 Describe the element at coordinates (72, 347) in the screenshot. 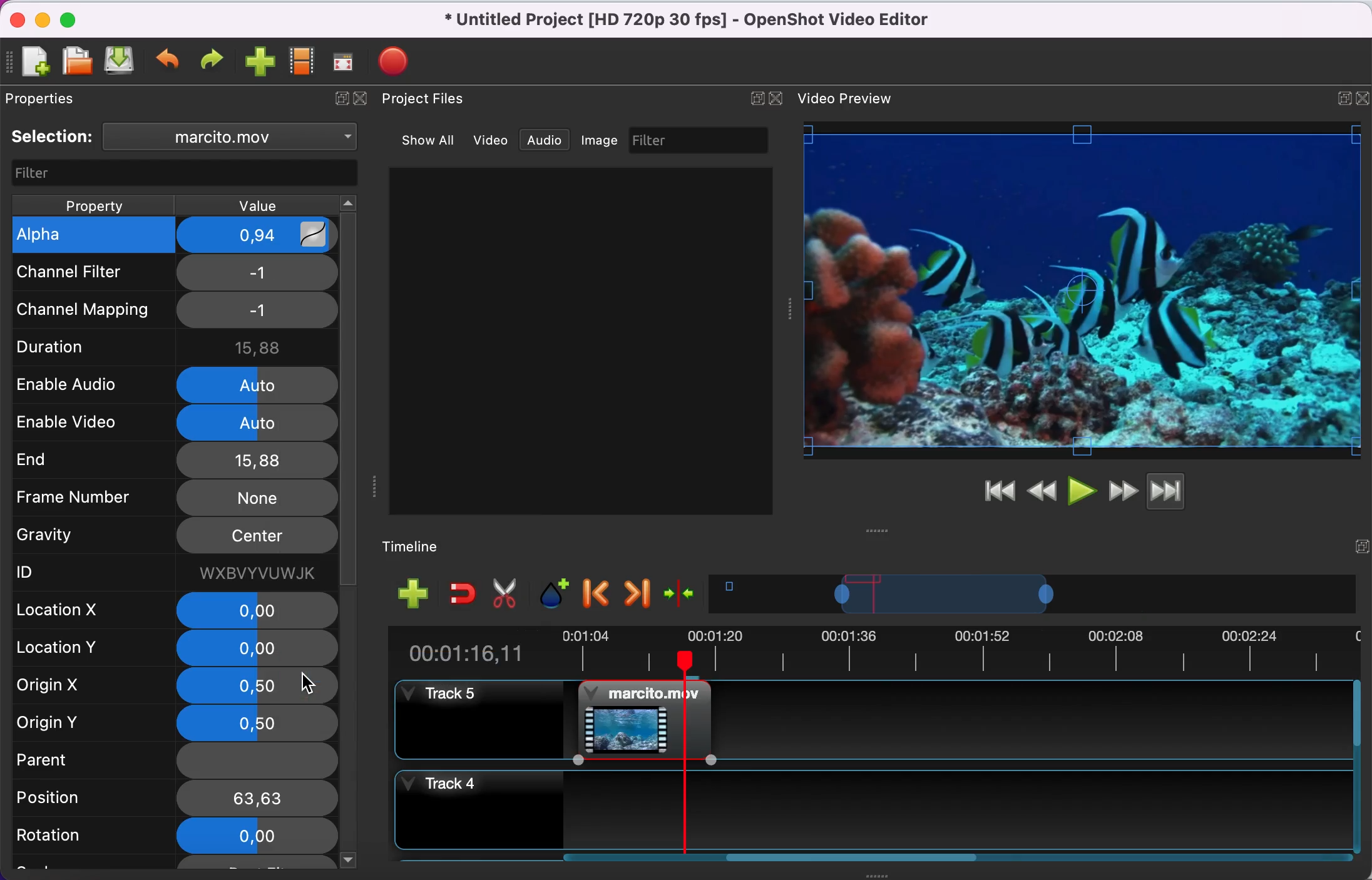

I see `Duration` at that location.